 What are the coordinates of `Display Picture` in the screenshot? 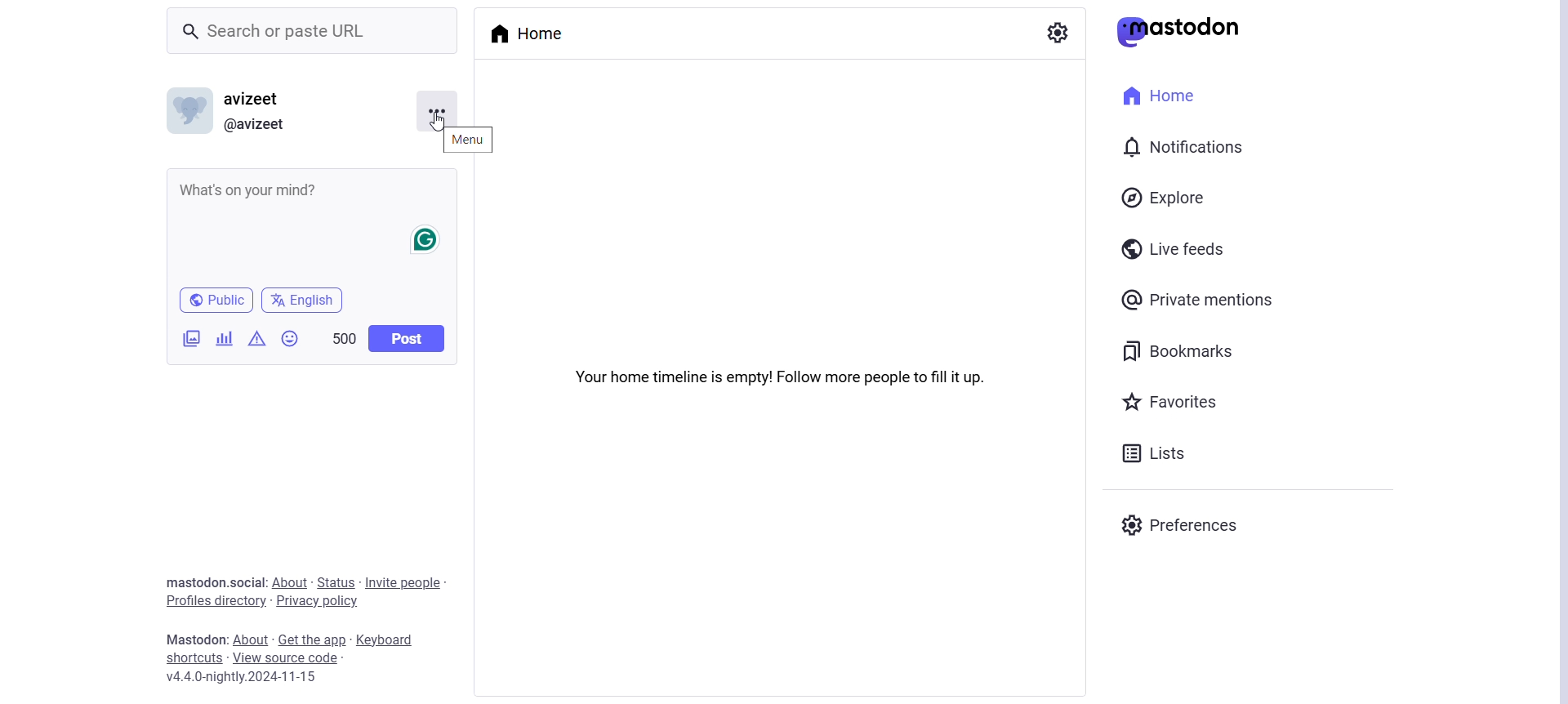 It's located at (189, 110).